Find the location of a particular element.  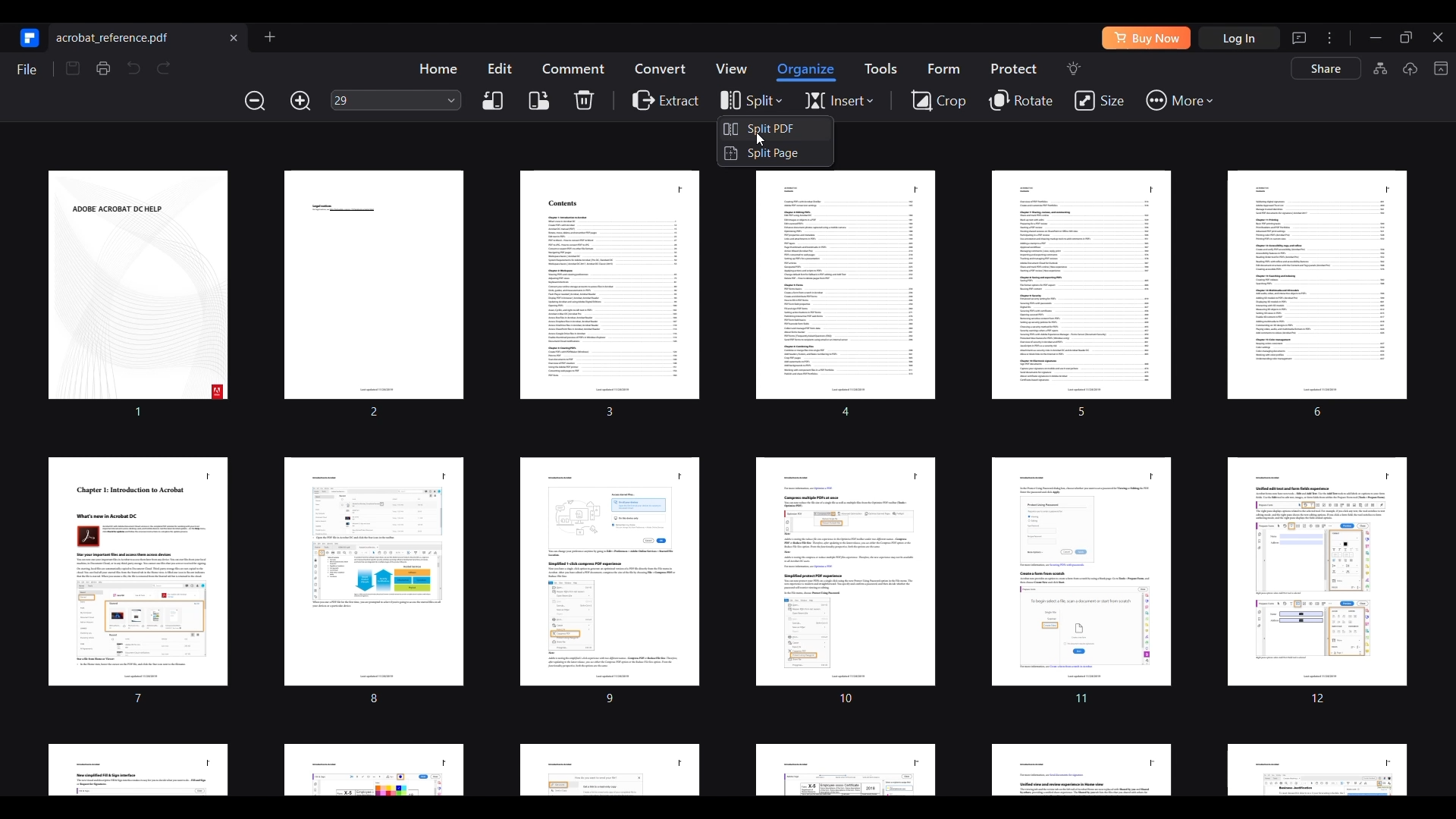

Split PDF is located at coordinates (774, 128).